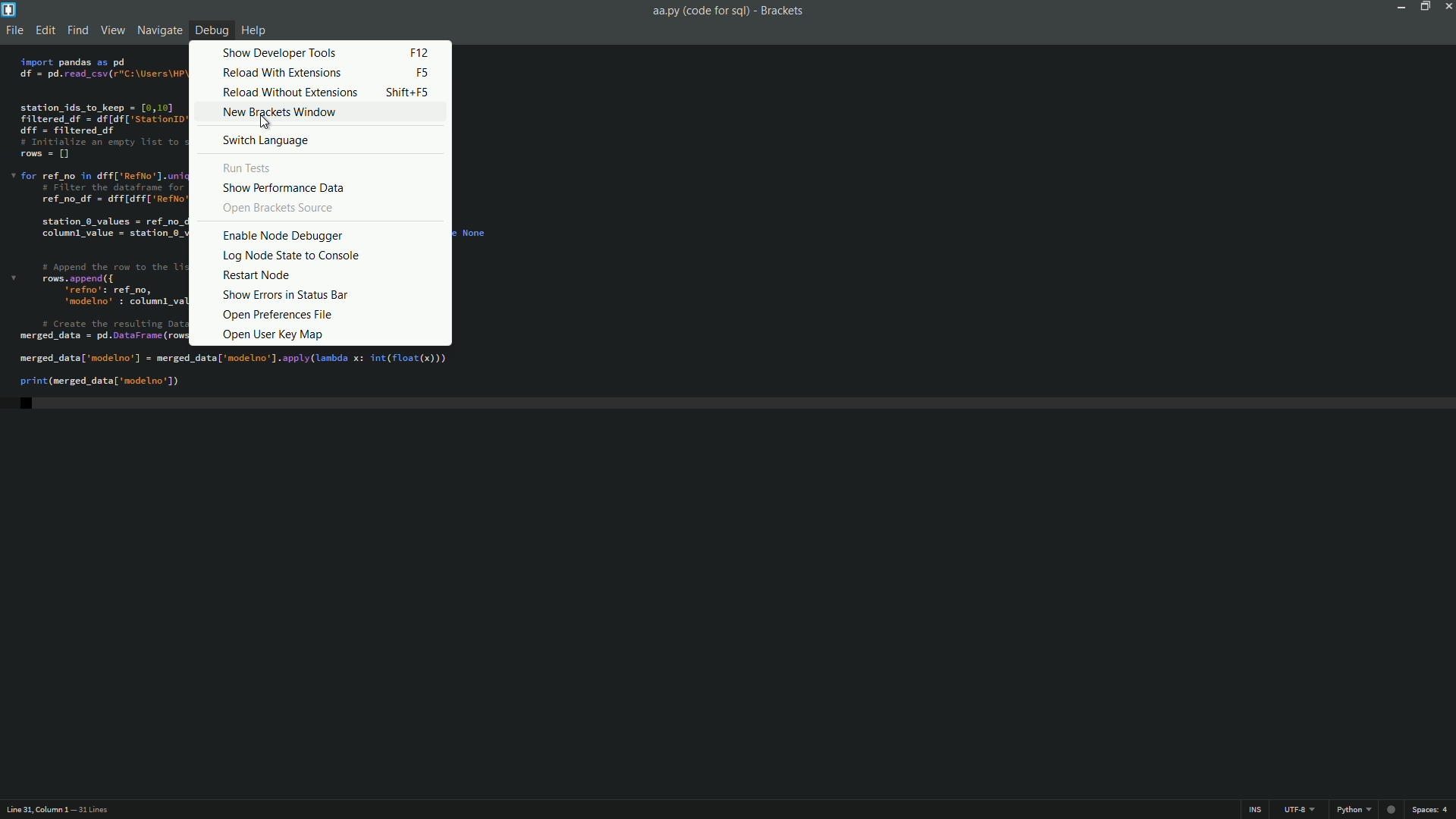 This screenshot has height=819, width=1456. Describe the element at coordinates (251, 168) in the screenshot. I see `Run tests` at that location.